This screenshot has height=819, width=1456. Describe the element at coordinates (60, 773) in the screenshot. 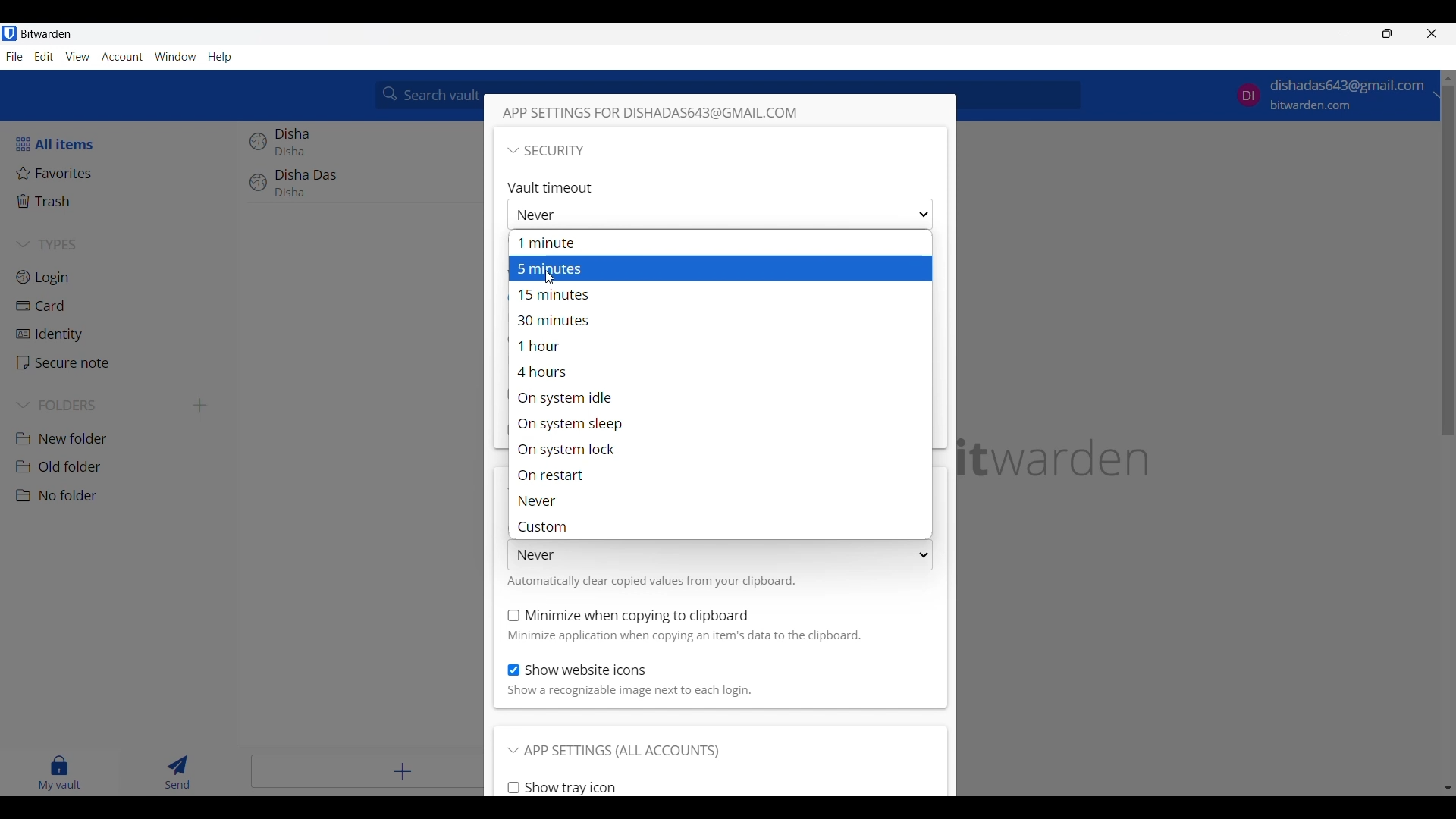

I see `My vault` at that location.